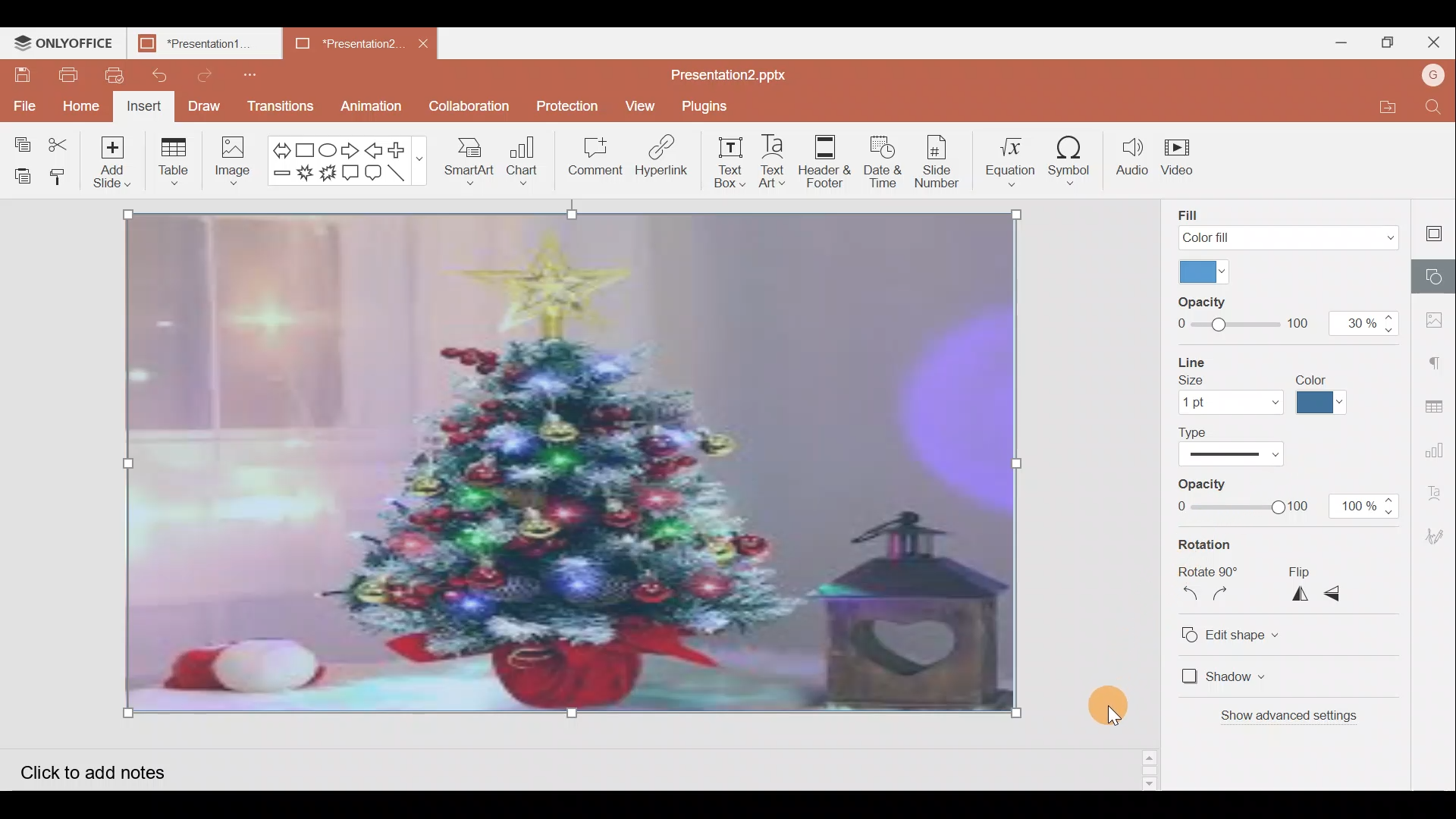  I want to click on Comment, so click(592, 157).